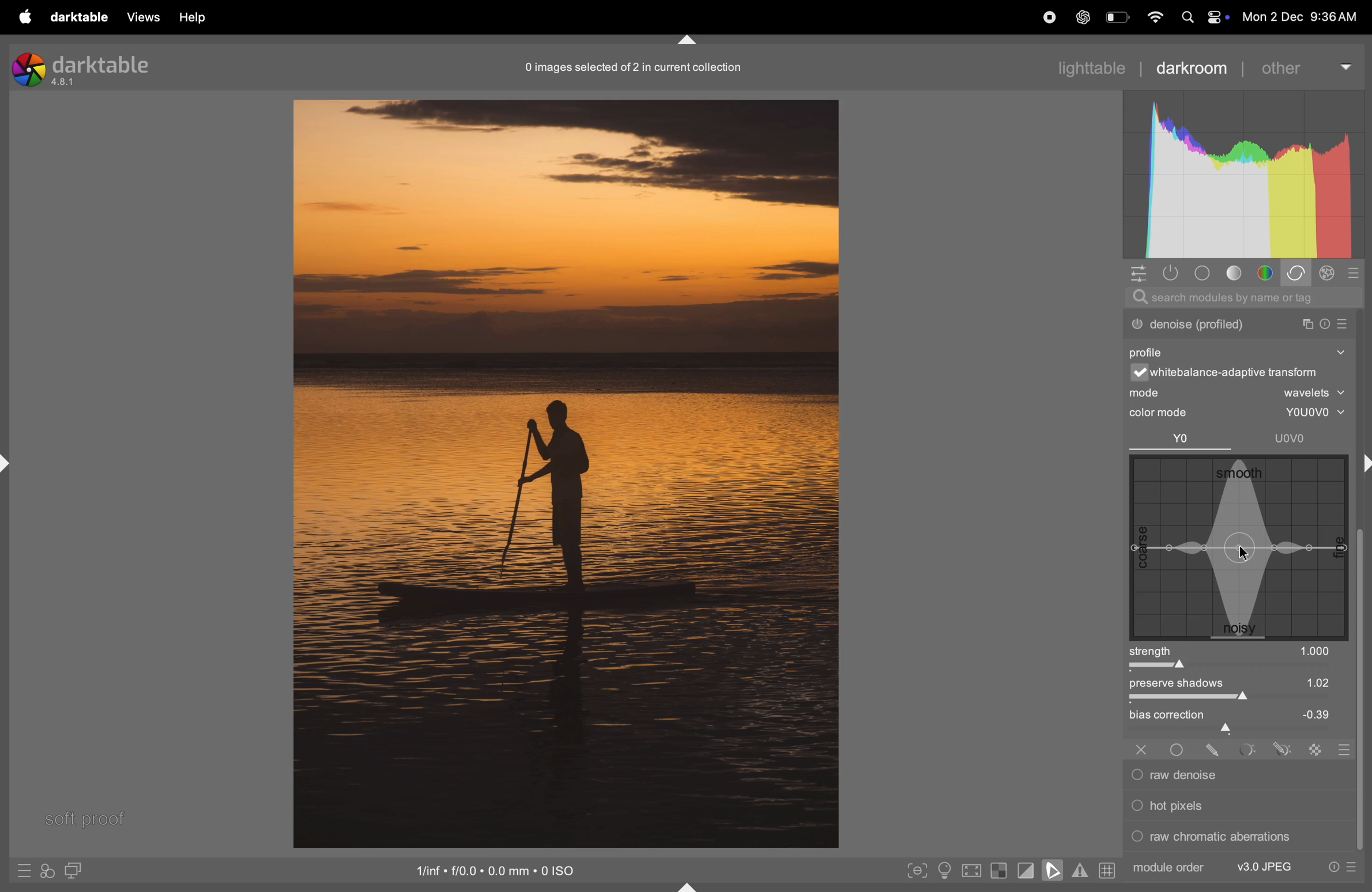 The height and width of the screenshot is (892, 1372). Describe the element at coordinates (1245, 374) in the screenshot. I see `white balance transform` at that location.